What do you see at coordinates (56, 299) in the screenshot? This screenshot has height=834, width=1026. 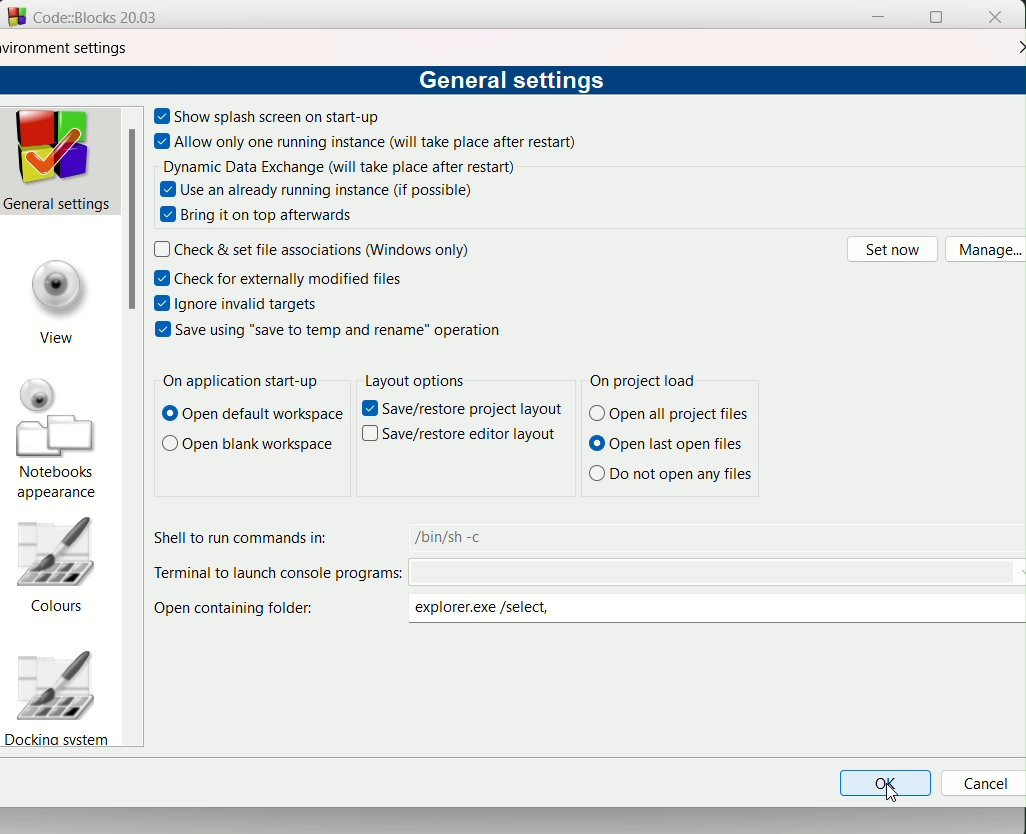 I see `view` at bounding box center [56, 299].